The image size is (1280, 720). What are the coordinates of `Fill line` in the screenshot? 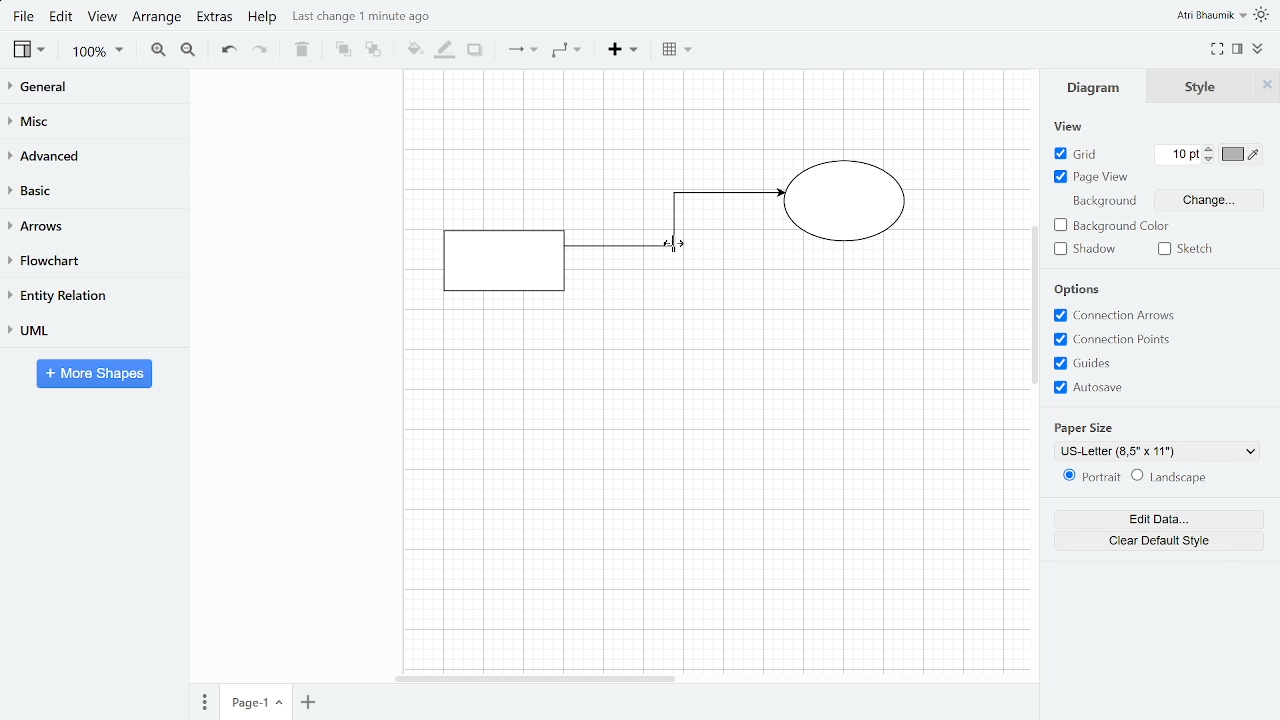 It's located at (443, 51).